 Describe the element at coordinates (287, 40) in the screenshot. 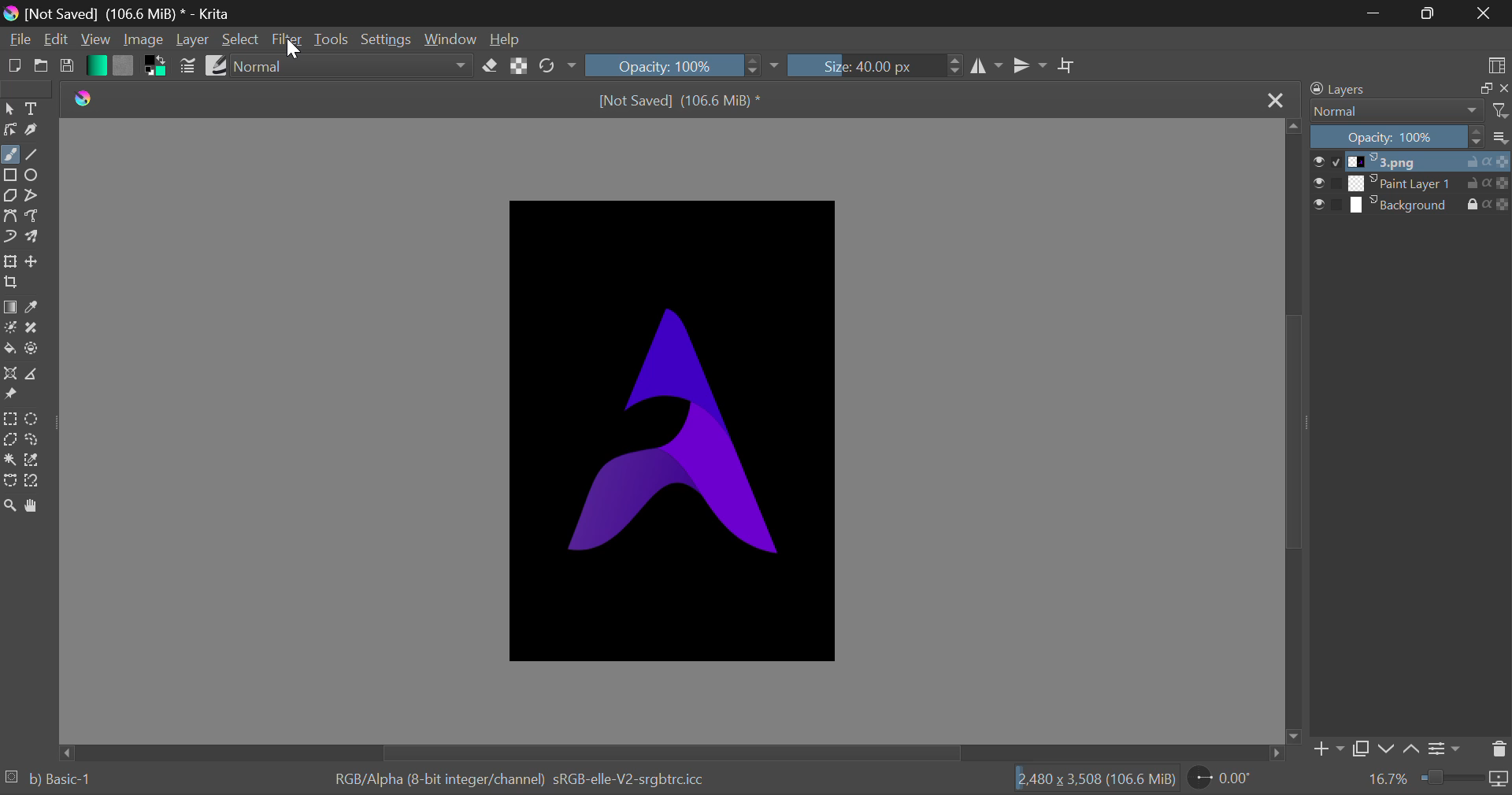

I see `Filter` at that location.